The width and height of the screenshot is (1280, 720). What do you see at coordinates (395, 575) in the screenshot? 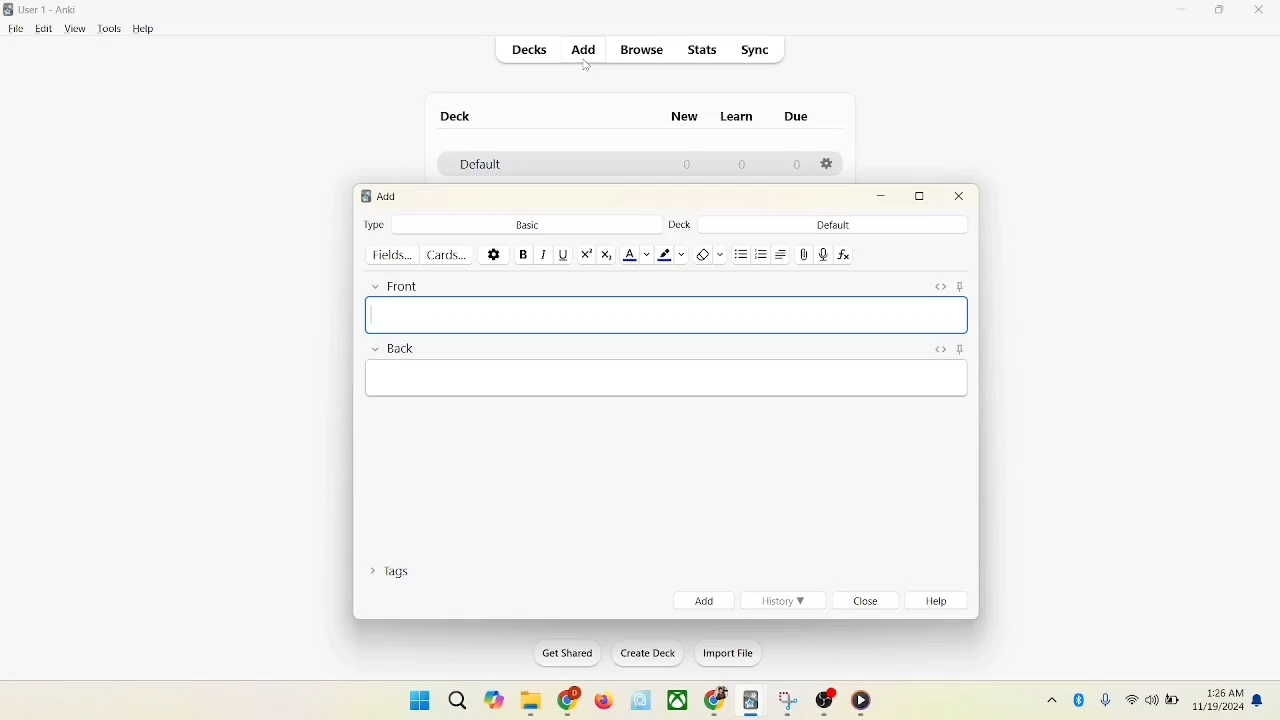
I see `tags` at bounding box center [395, 575].